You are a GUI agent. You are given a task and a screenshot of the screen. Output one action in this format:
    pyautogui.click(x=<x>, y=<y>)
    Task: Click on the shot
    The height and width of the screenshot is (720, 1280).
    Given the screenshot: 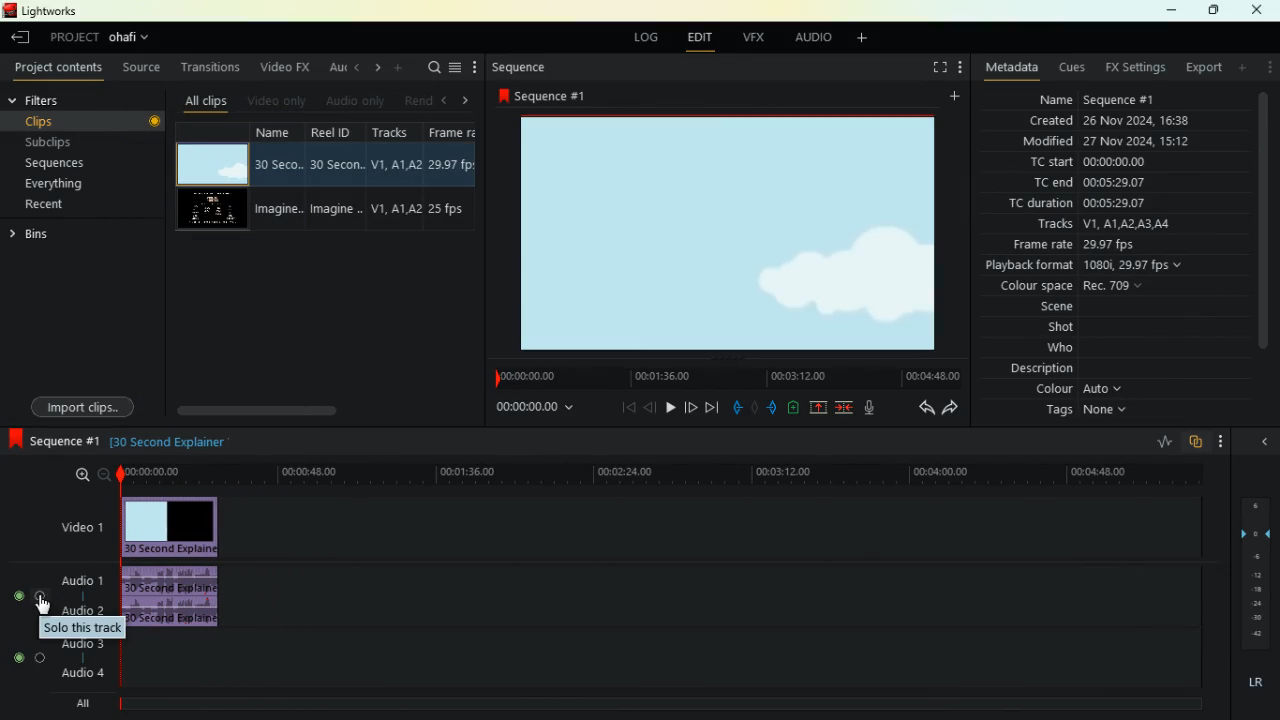 What is the action you would take?
    pyautogui.click(x=1066, y=328)
    